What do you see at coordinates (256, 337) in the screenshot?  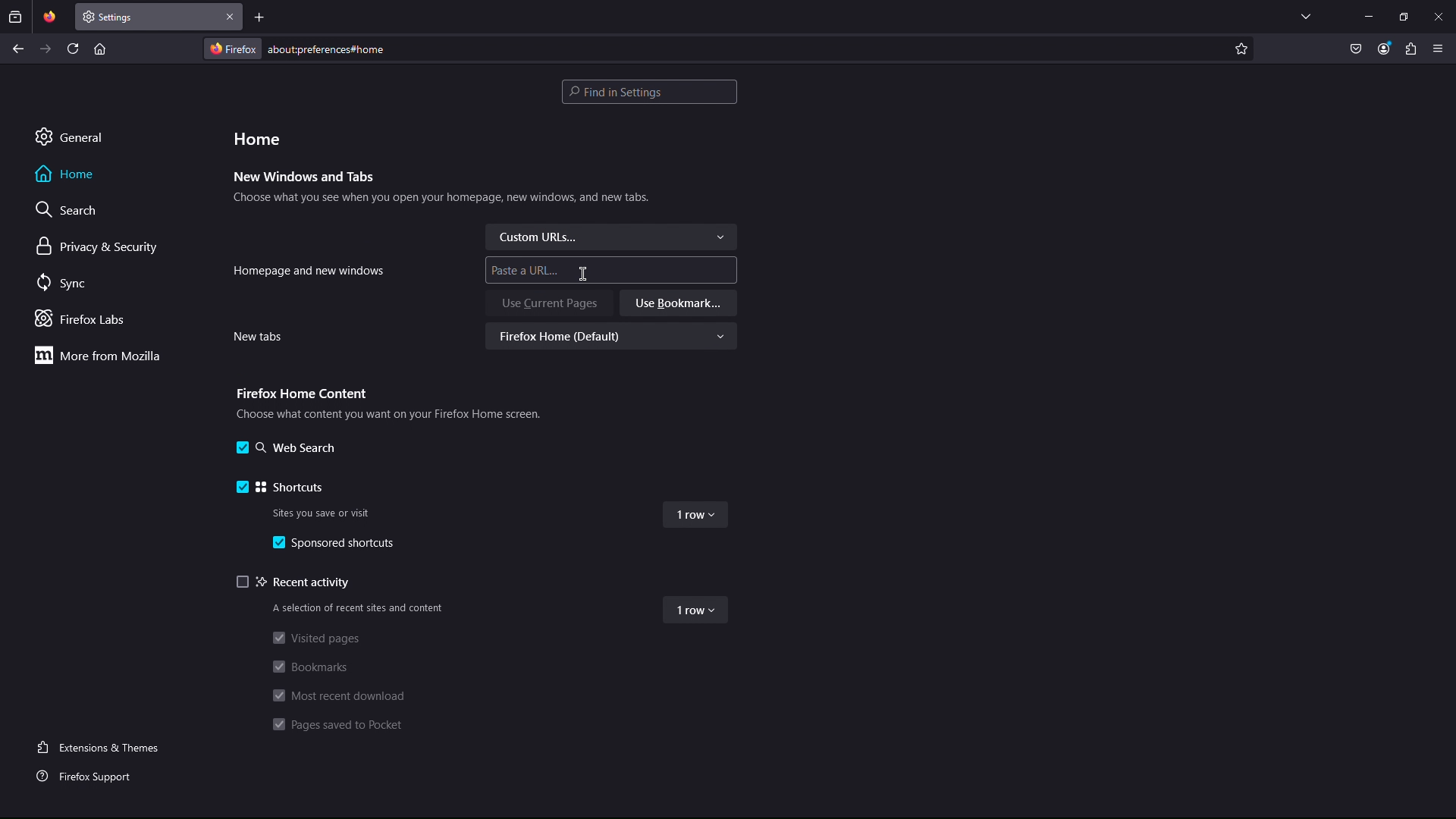 I see `New tabs` at bounding box center [256, 337].